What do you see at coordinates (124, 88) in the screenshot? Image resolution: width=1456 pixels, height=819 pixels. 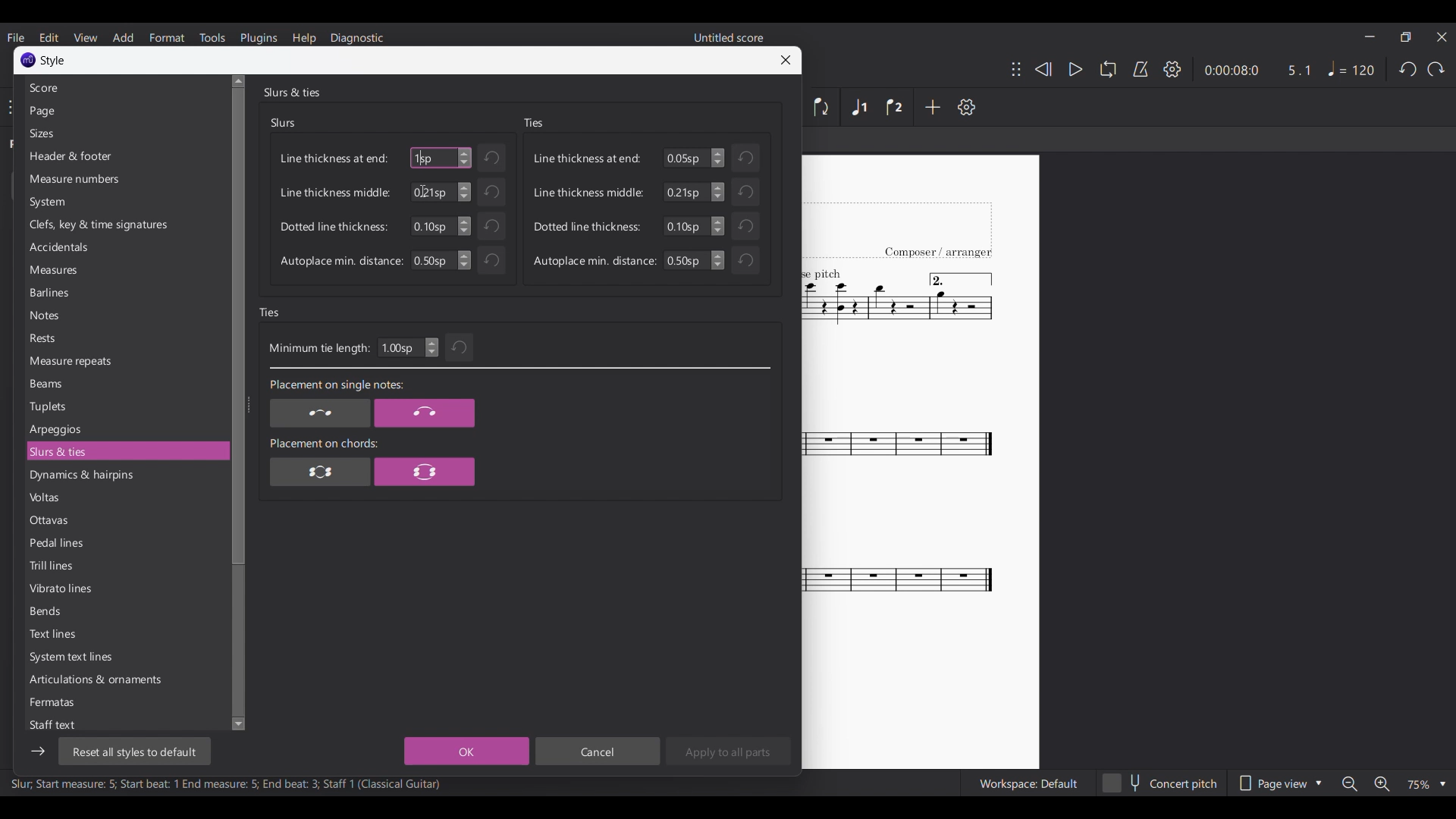 I see `Score` at bounding box center [124, 88].